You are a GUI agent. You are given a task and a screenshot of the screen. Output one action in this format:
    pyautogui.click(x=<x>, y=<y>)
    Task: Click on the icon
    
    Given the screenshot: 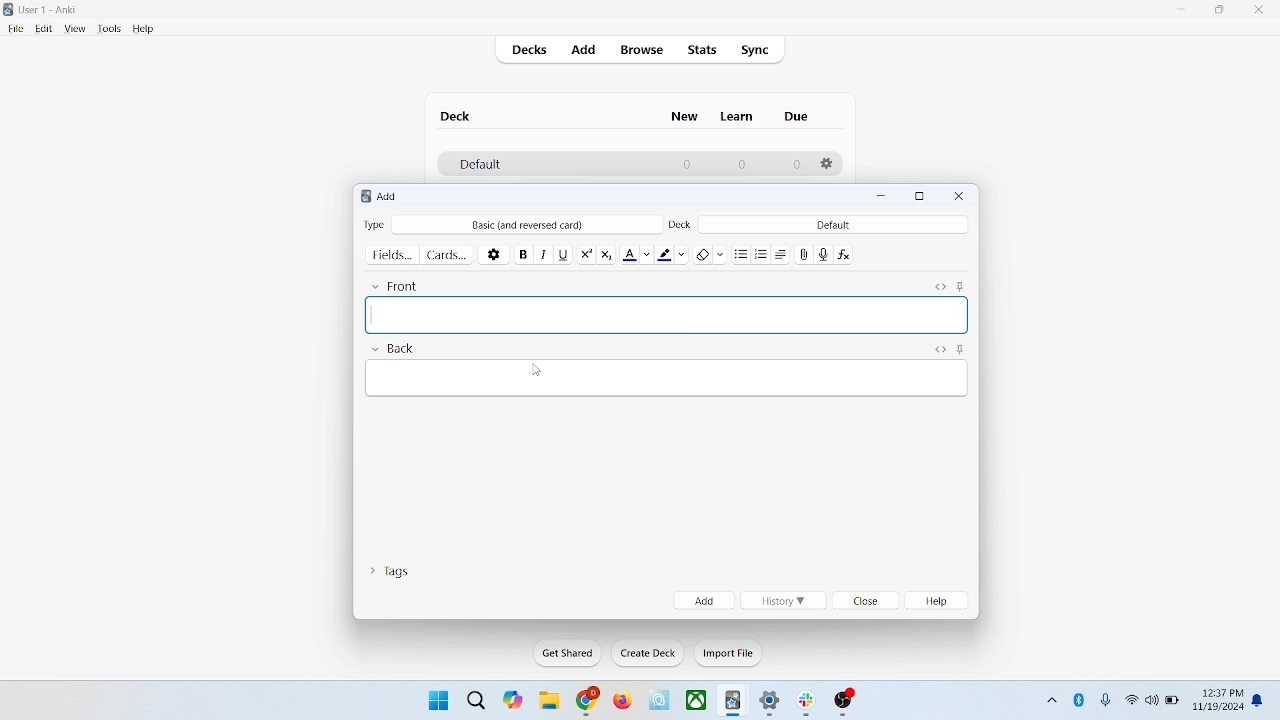 What is the action you would take?
    pyautogui.click(x=810, y=704)
    